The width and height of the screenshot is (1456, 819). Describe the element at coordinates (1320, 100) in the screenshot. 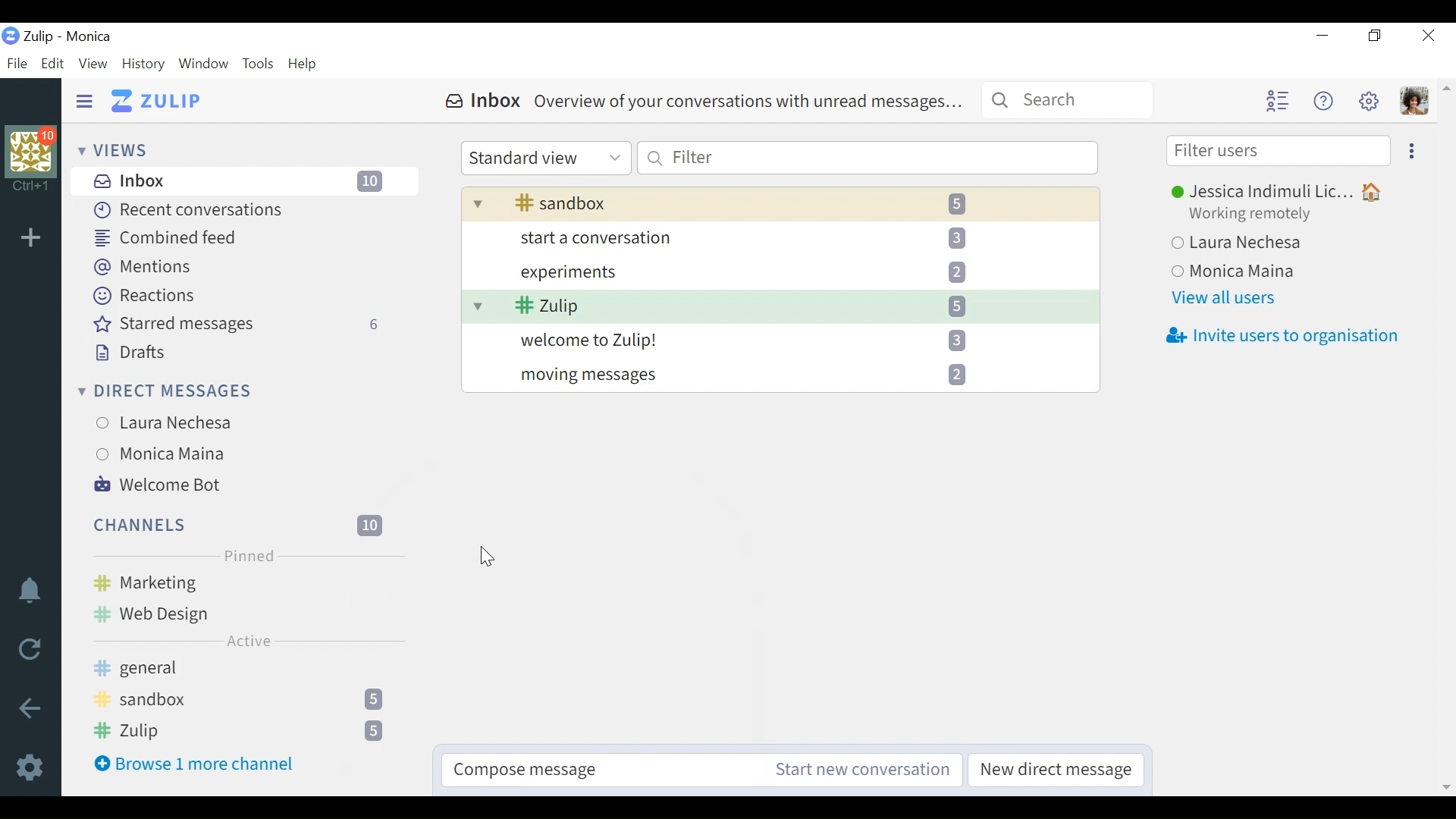

I see `Help ` at that location.